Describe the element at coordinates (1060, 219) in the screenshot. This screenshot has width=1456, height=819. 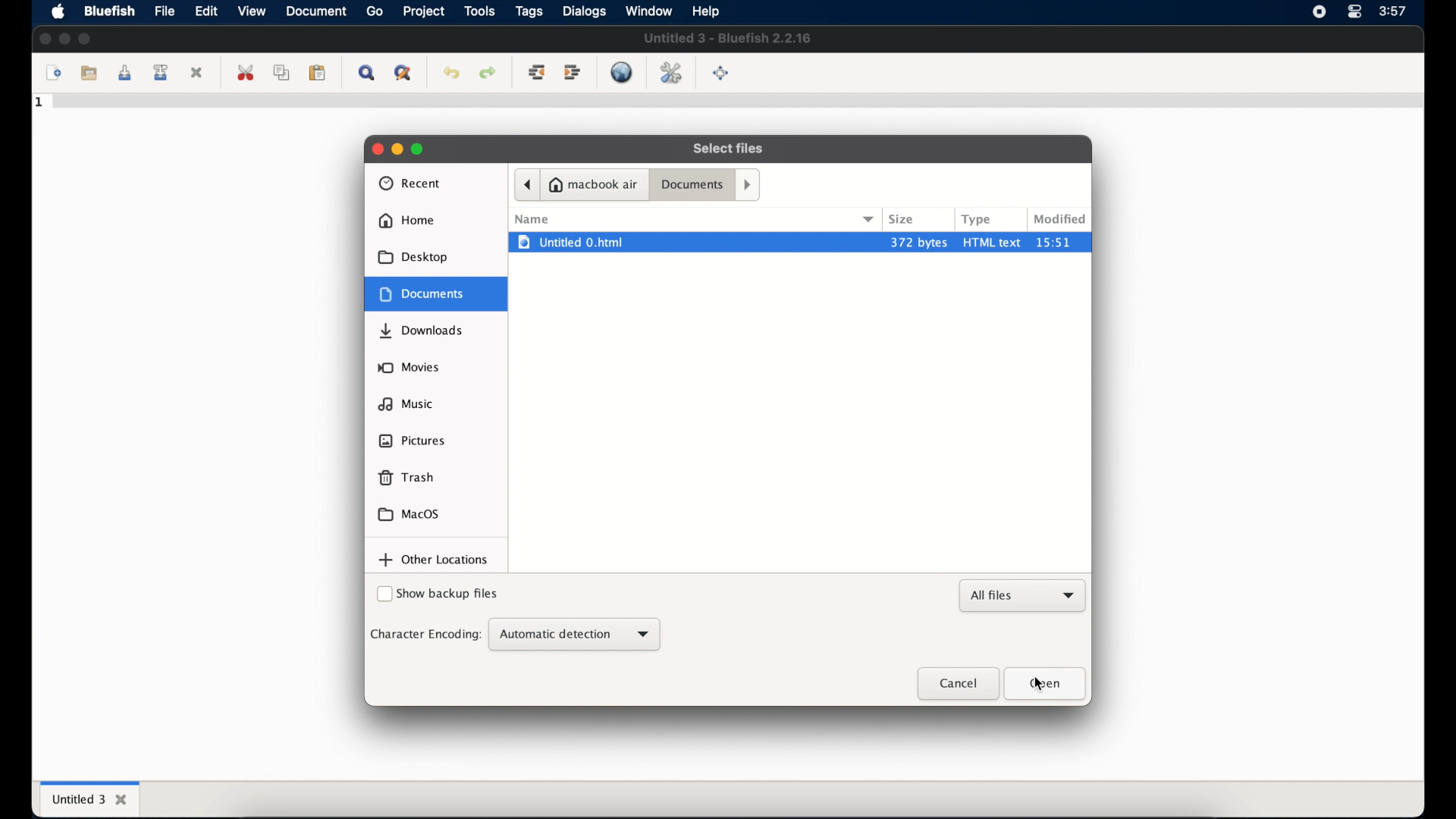
I see `modified` at that location.